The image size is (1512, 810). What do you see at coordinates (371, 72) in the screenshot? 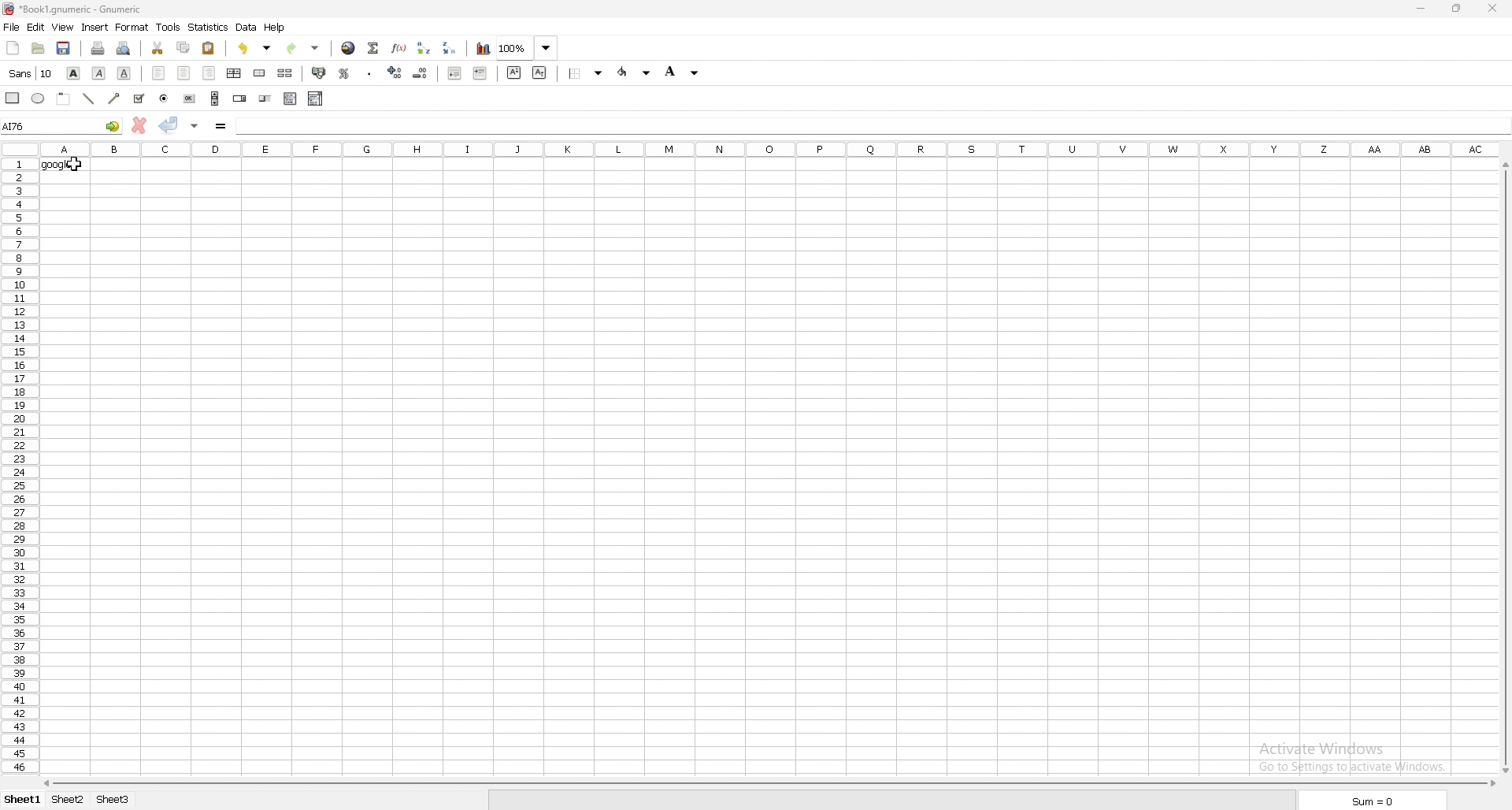
I see `thousands separator` at bounding box center [371, 72].